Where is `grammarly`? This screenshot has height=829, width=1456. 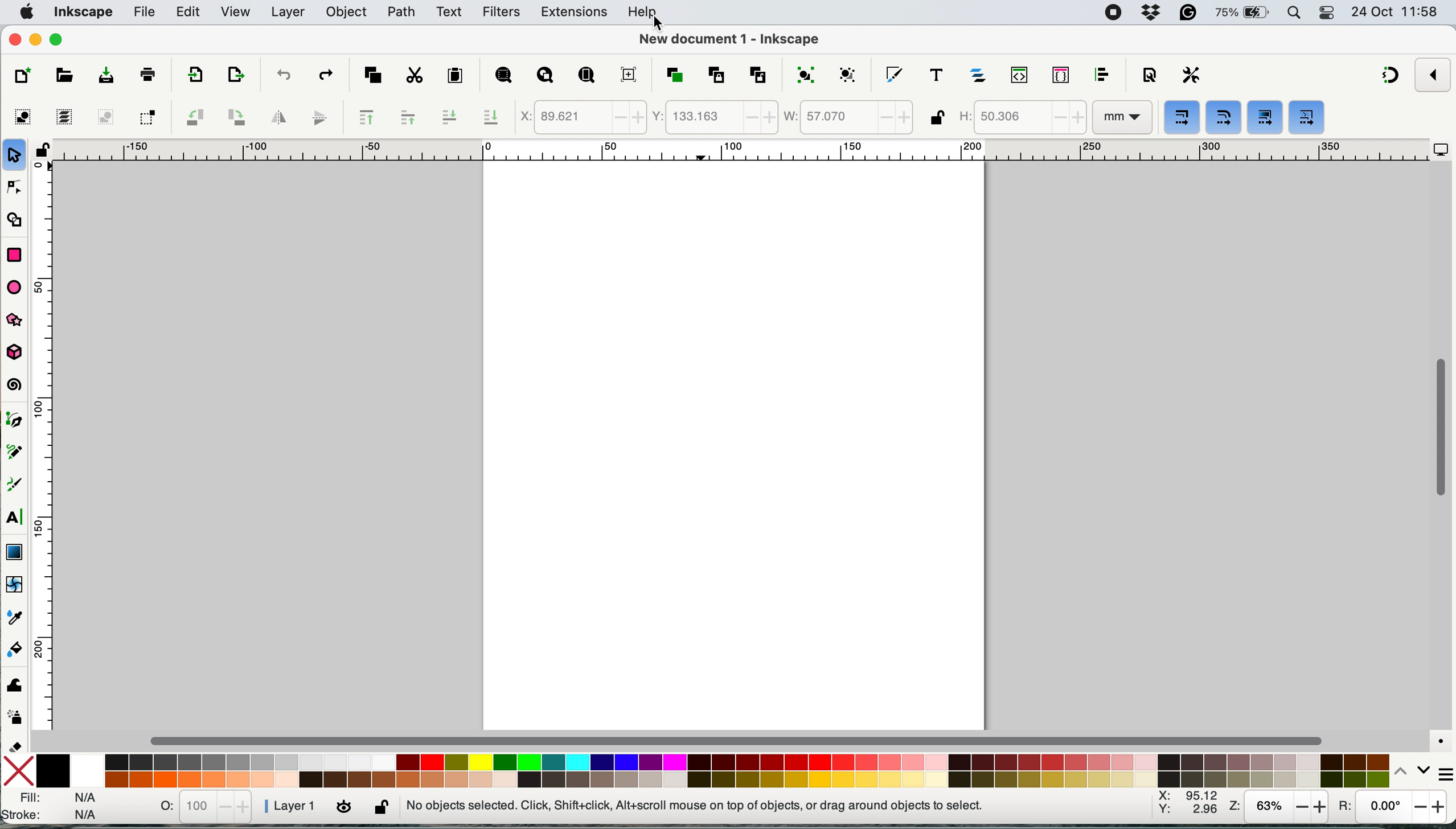
grammarly is located at coordinates (1186, 13).